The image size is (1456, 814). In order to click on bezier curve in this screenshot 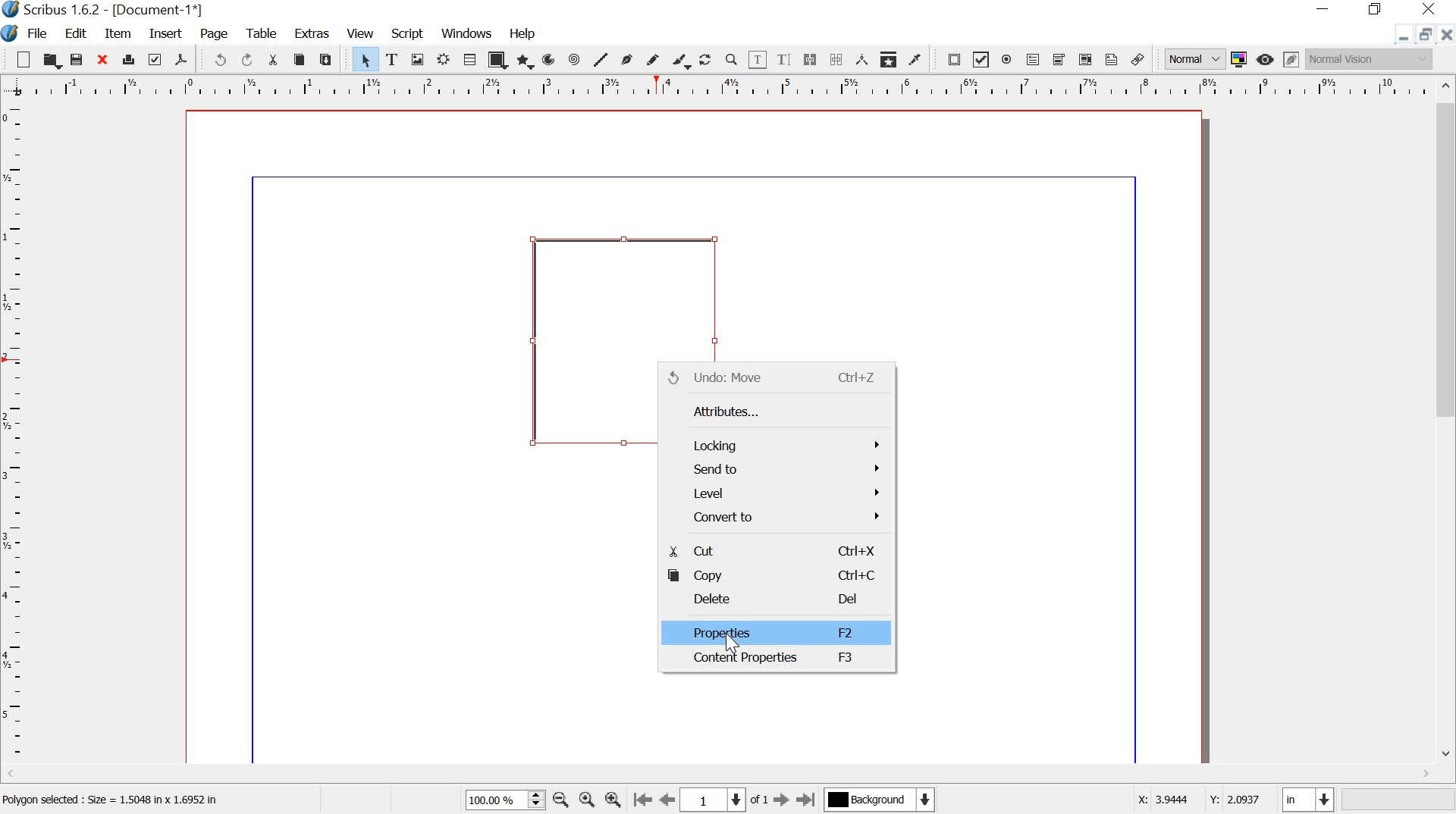, I will do `click(630, 59)`.